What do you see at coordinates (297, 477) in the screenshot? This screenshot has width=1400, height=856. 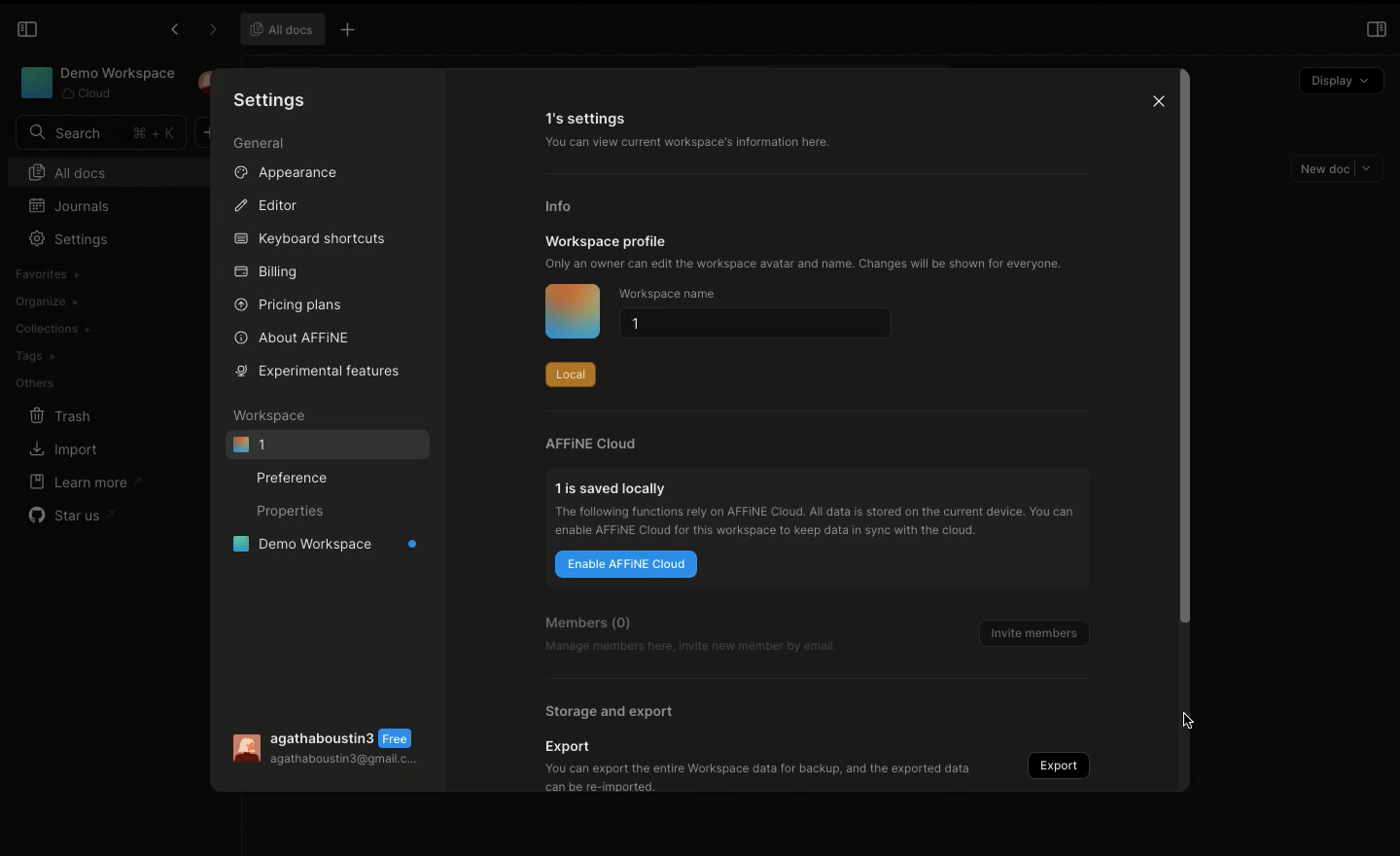 I see `Preference` at bounding box center [297, 477].